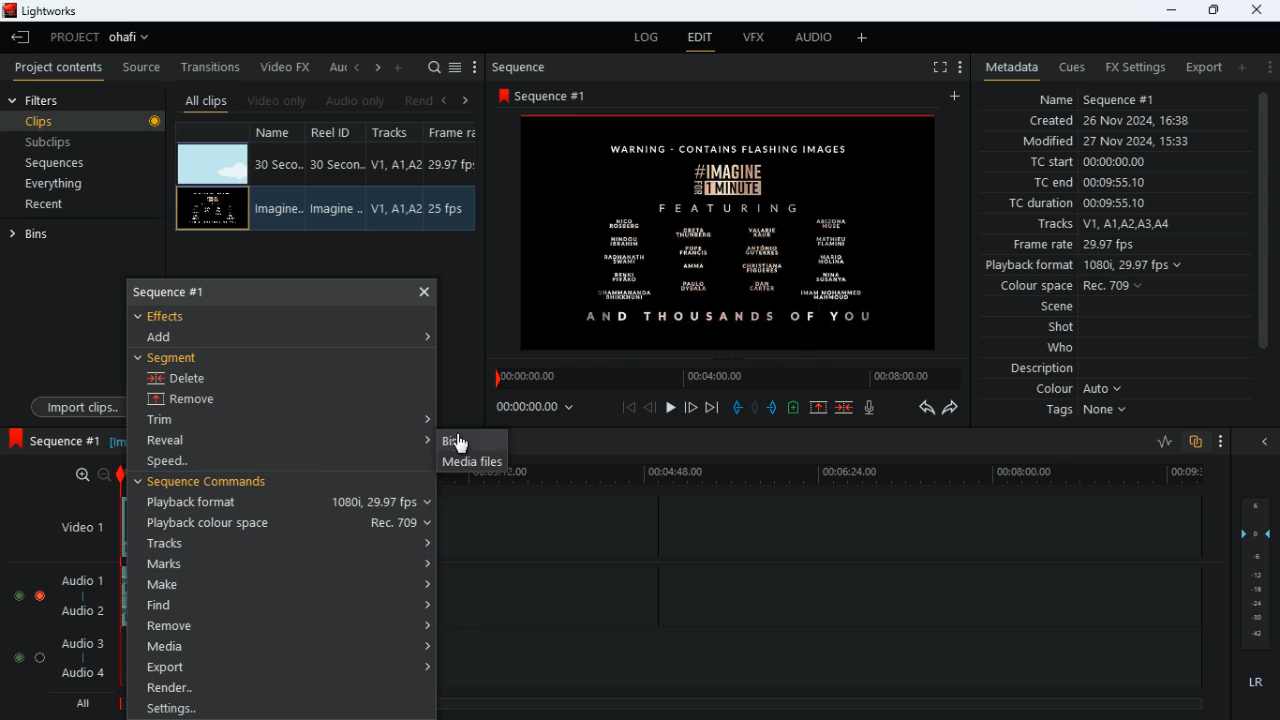  I want to click on name, so click(278, 134).